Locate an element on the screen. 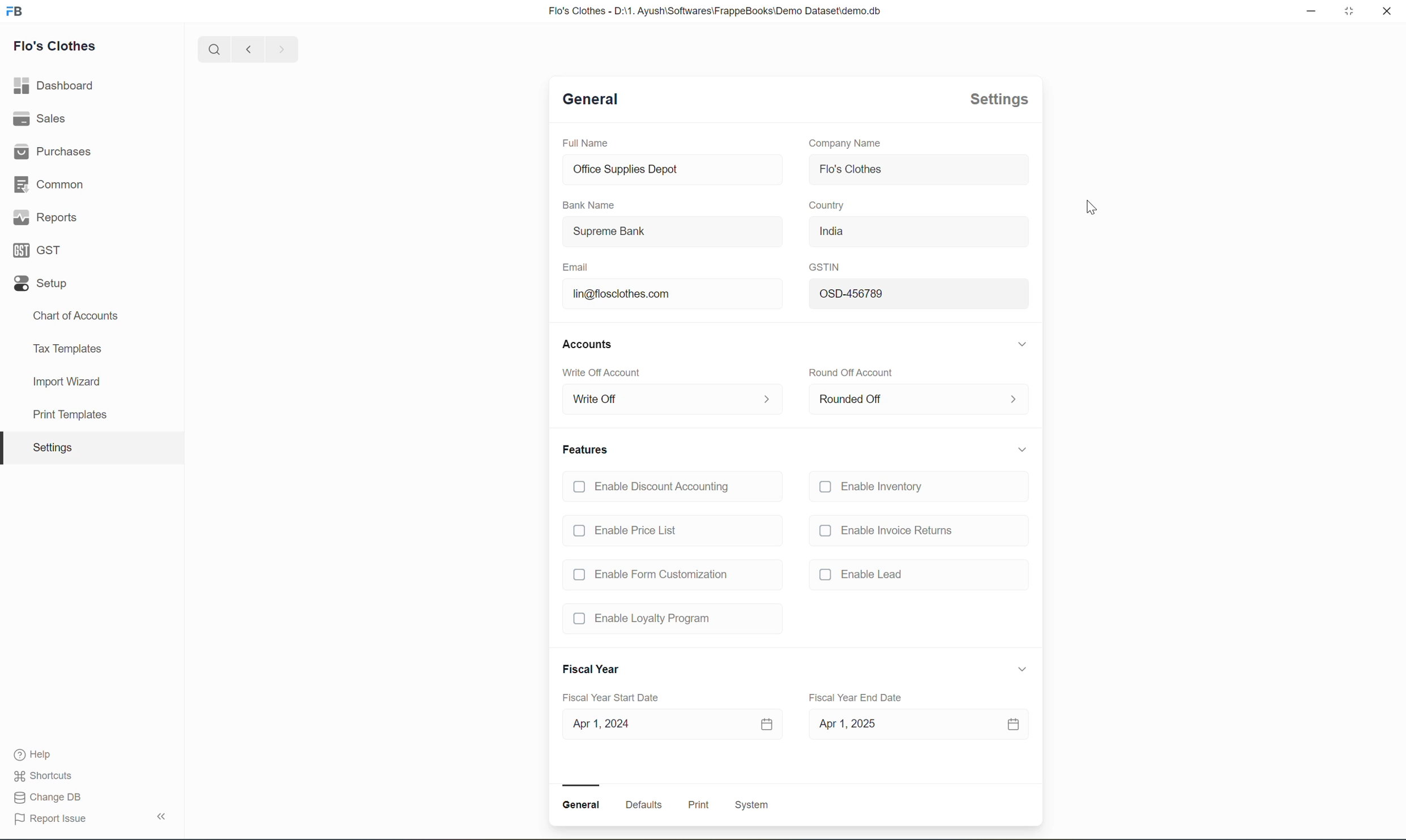 The width and height of the screenshot is (1406, 840). Common is located at coordinates (49, 184).